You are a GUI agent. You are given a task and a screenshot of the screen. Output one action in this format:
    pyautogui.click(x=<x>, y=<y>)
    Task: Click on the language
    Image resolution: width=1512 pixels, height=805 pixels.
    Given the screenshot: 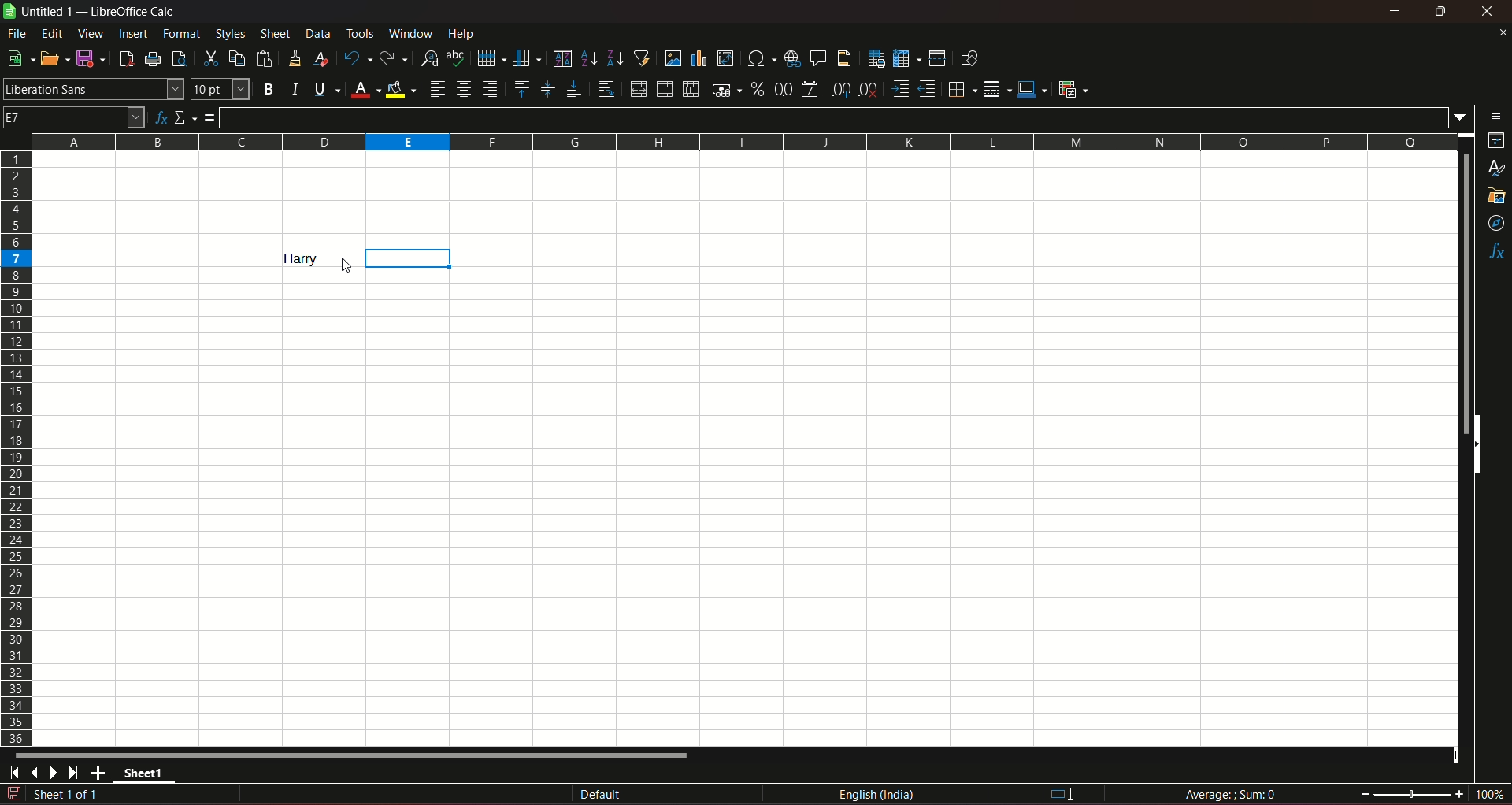 What is the action you would take?
    pyautogui.click(x=880, y=795)
    